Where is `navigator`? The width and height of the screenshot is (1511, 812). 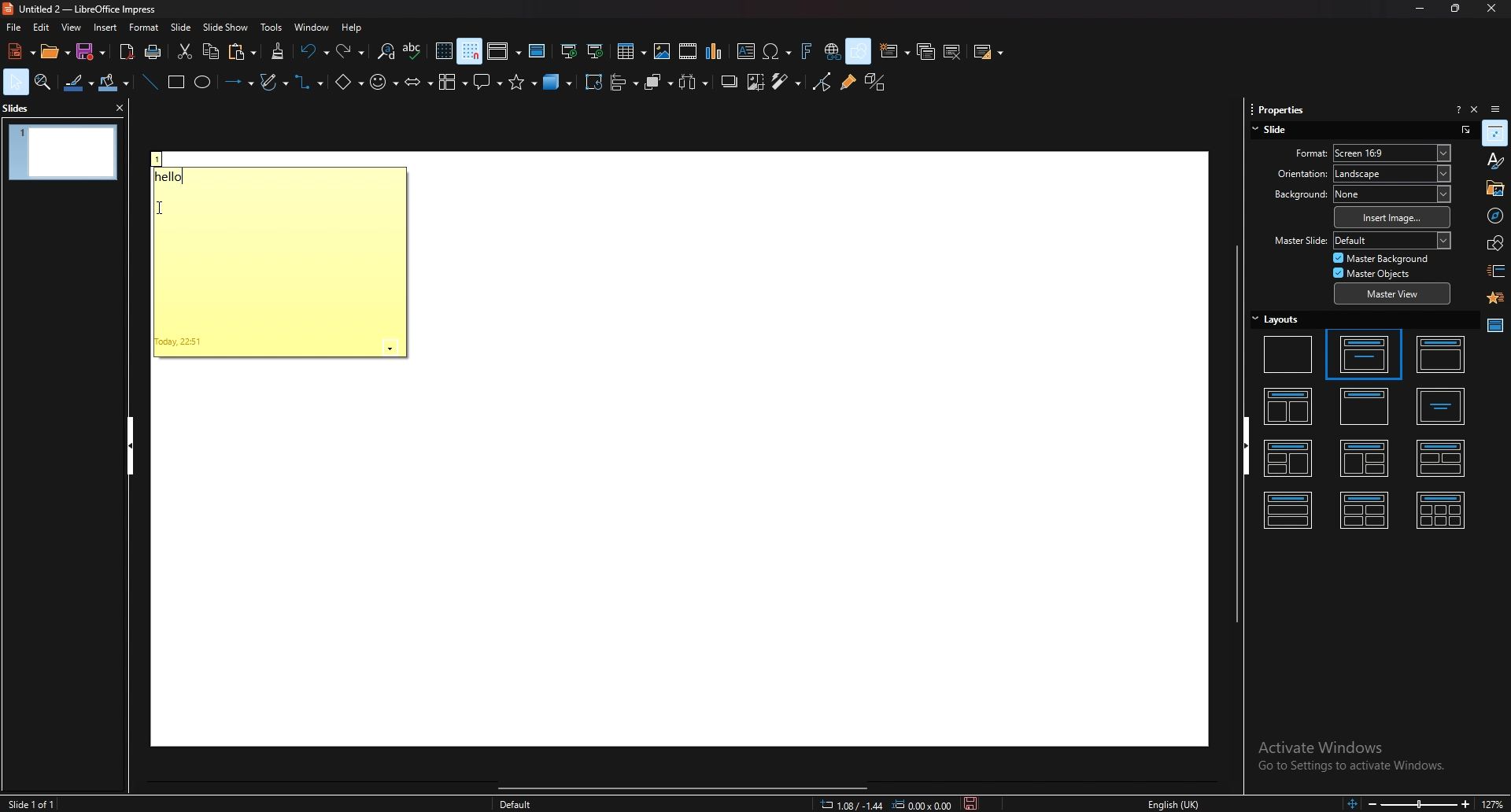
navigator is located at coordinates (1494, 215).